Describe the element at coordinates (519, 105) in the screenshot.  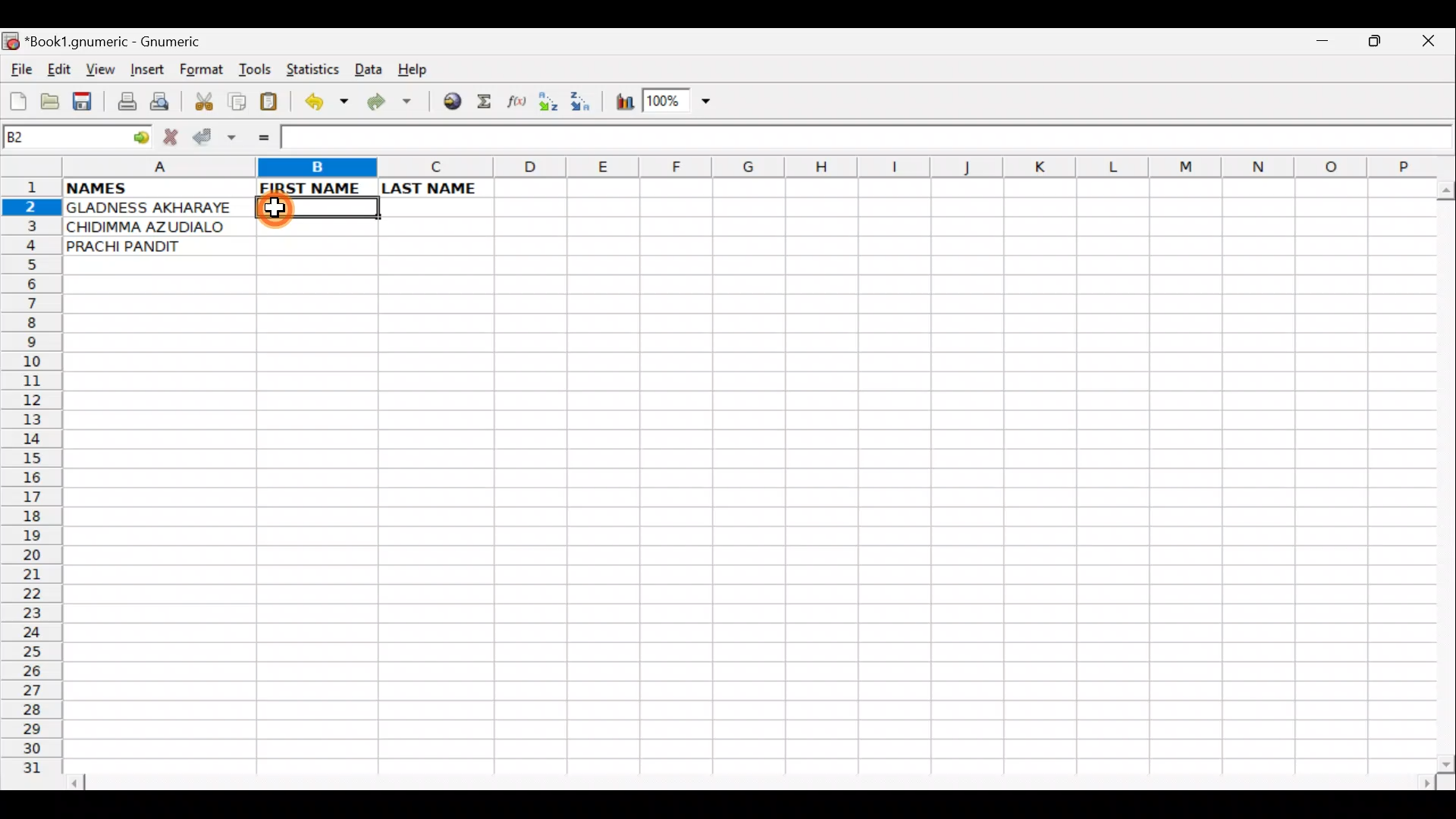
I see `Edit function in the current cell` at that location.